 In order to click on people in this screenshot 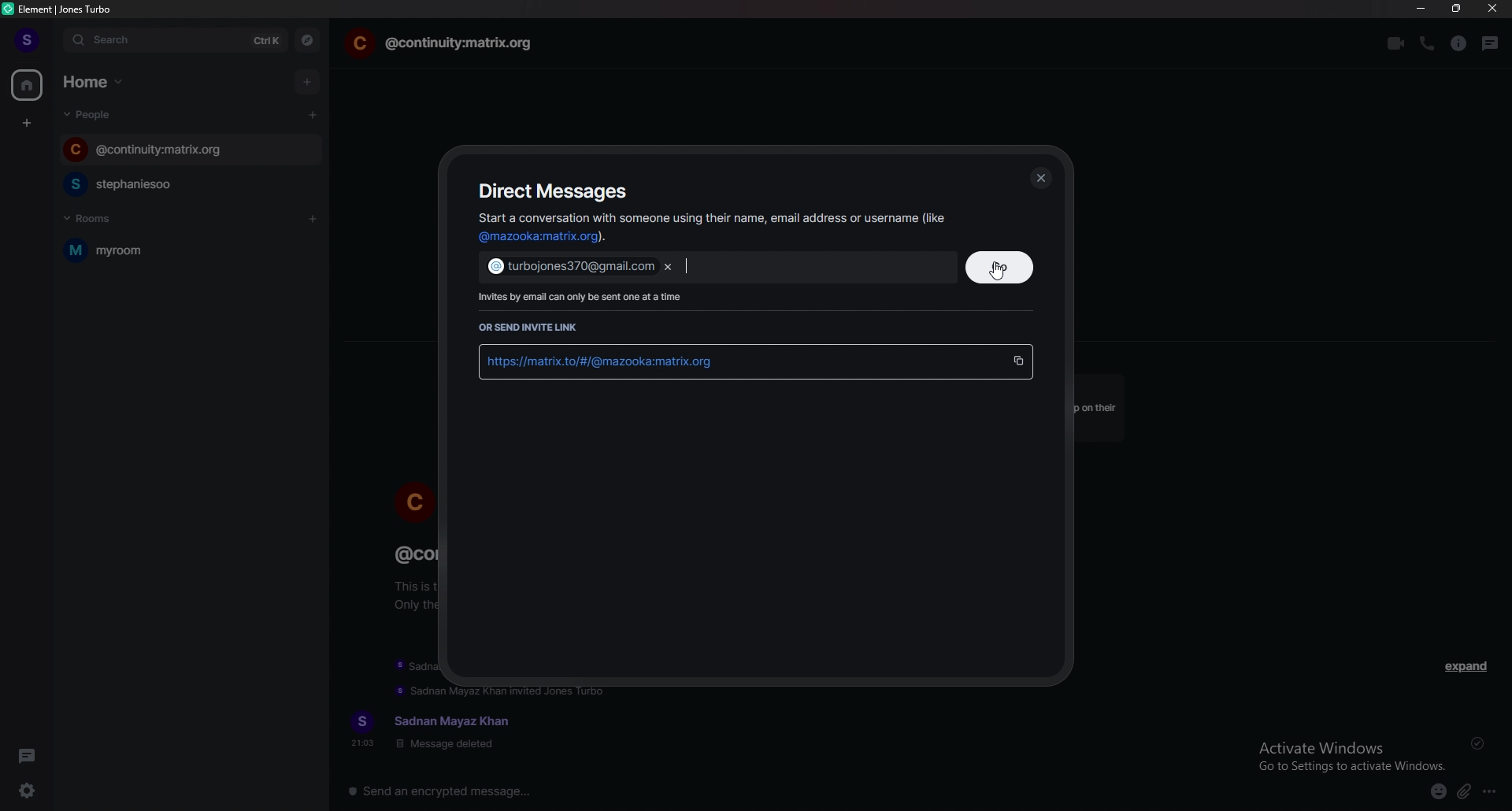, I will do `click(94, 114)`.